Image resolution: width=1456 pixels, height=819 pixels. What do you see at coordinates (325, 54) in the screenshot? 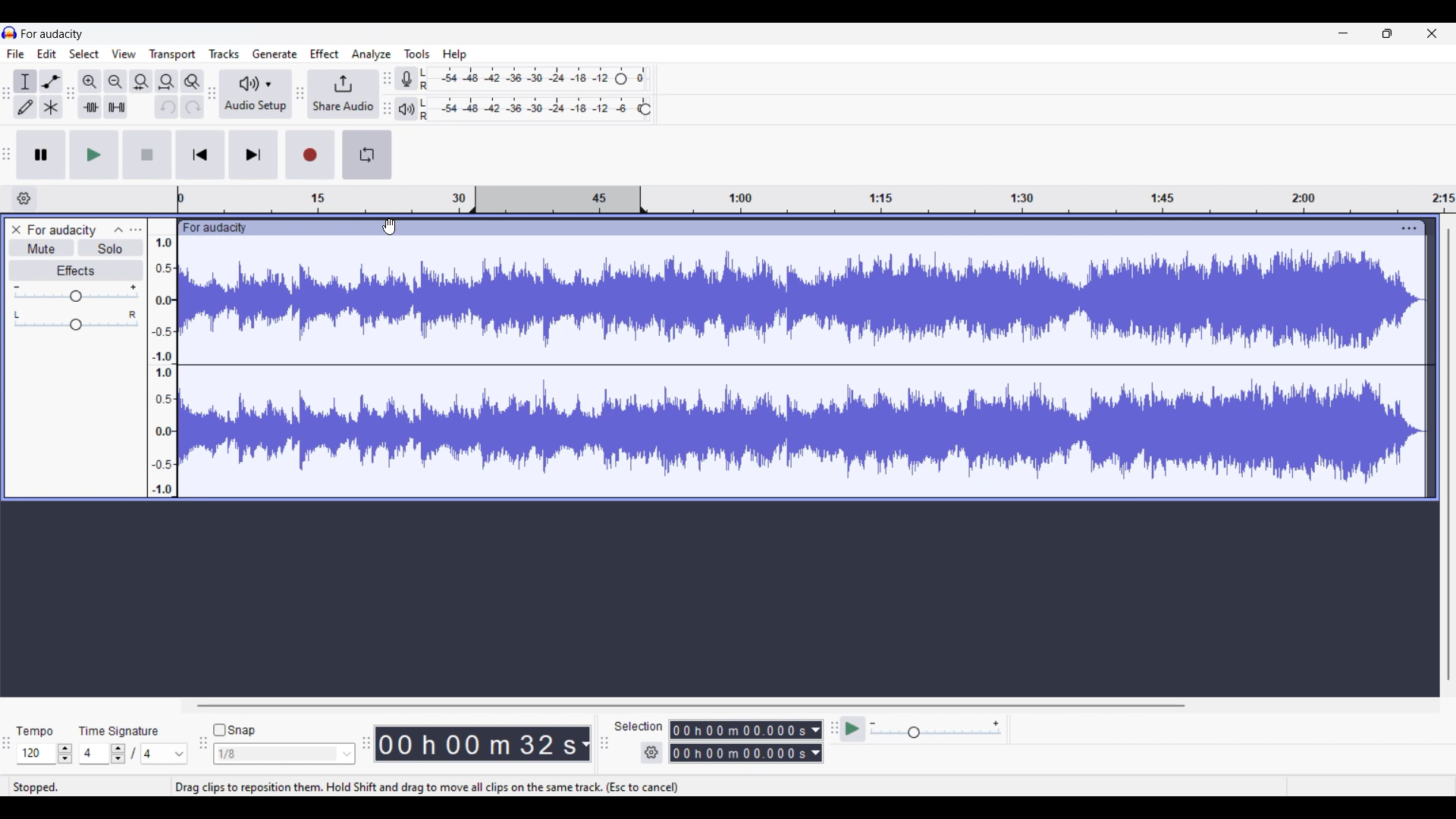
I see `Effect menu` at bounding box center [325, 54].